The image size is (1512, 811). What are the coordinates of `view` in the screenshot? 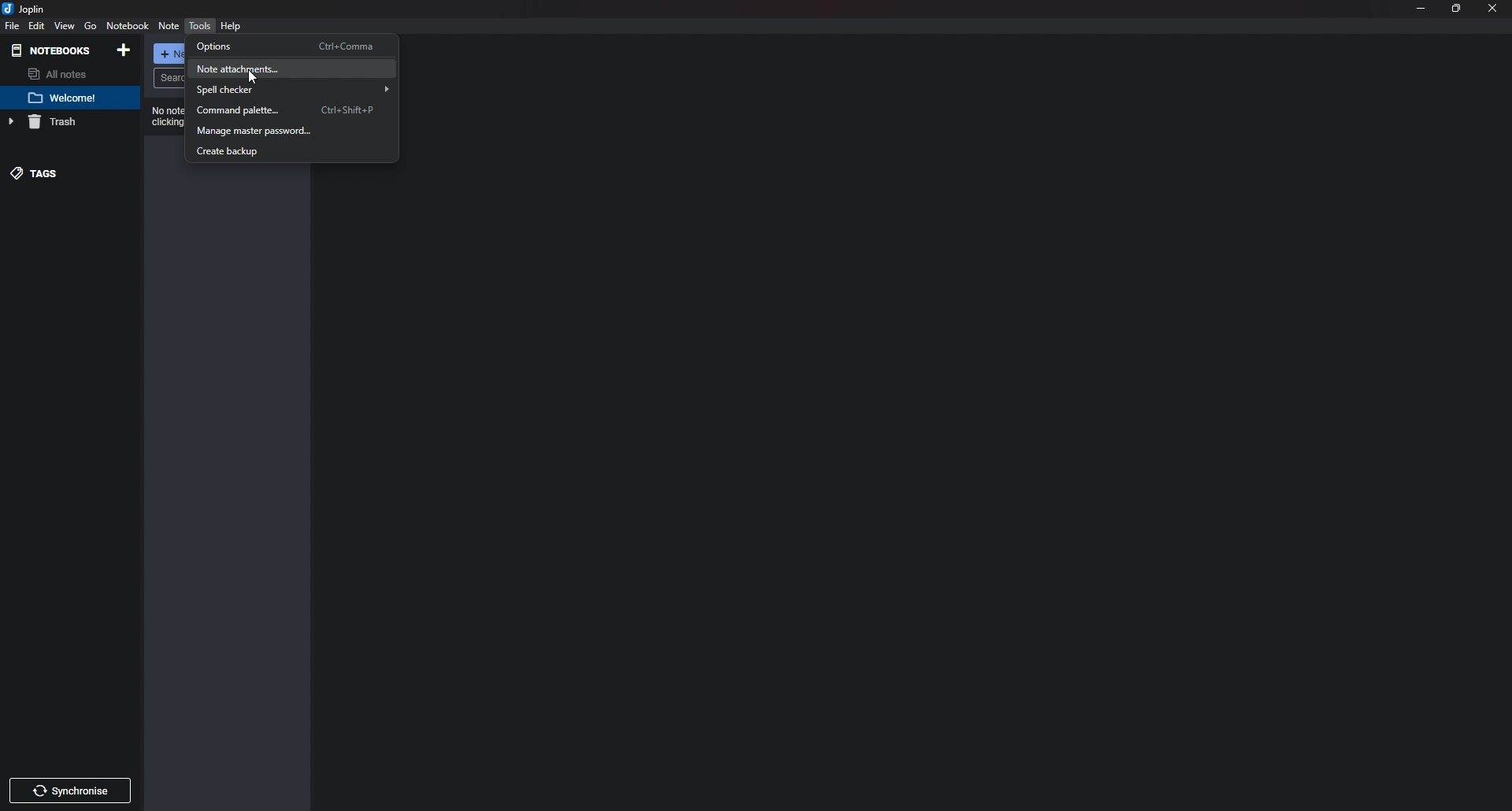 It's located at (65, 28).